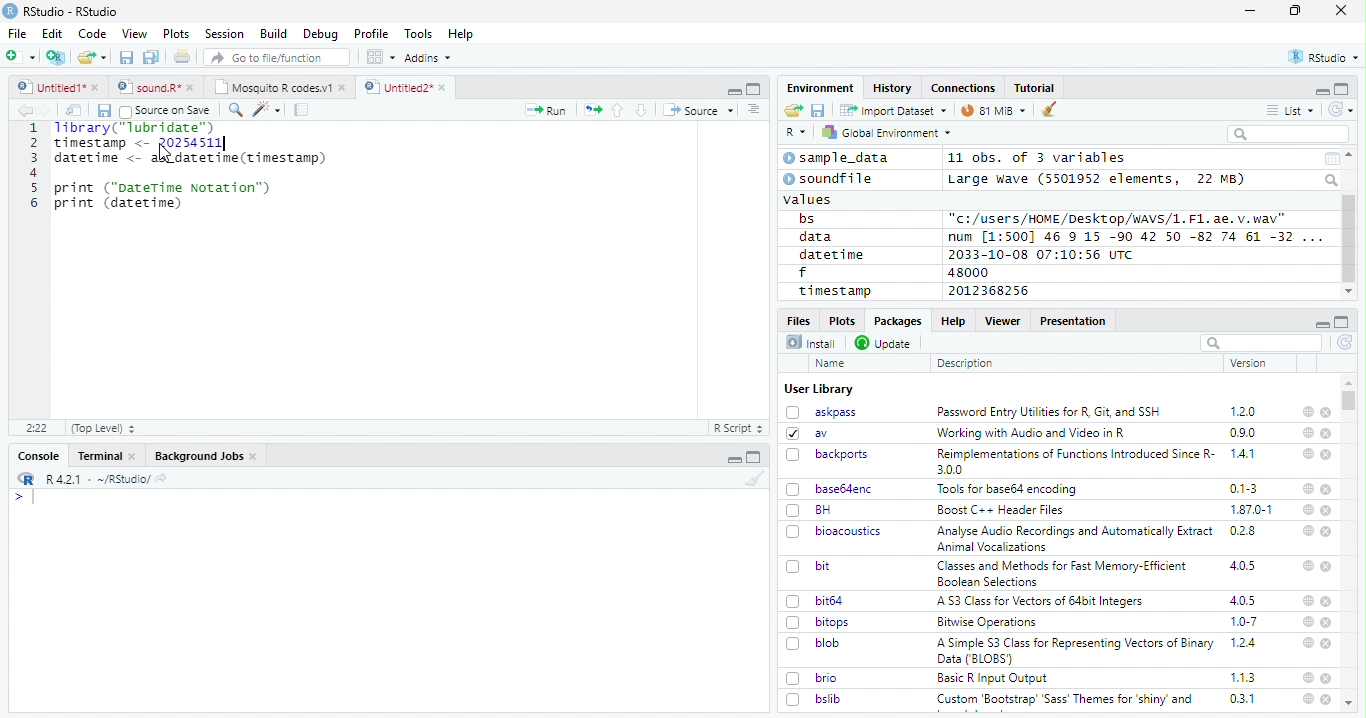  What do you see at coordinates (1306, 530) in the screenshot?
I see `help` at bounding box center [1306, 530].